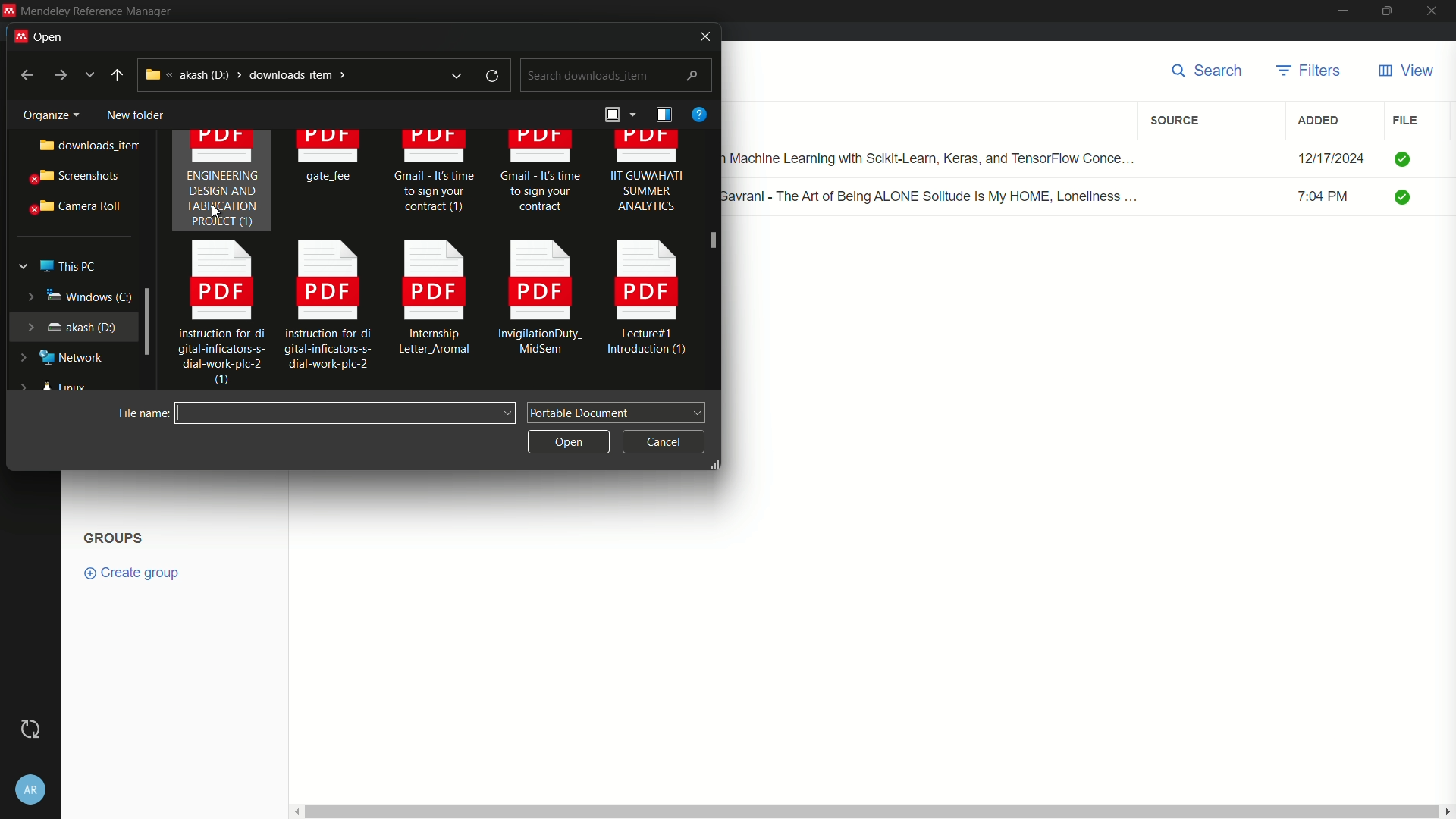 The image size is (1456, 819). I want to click on Organize, so click(45, 112).